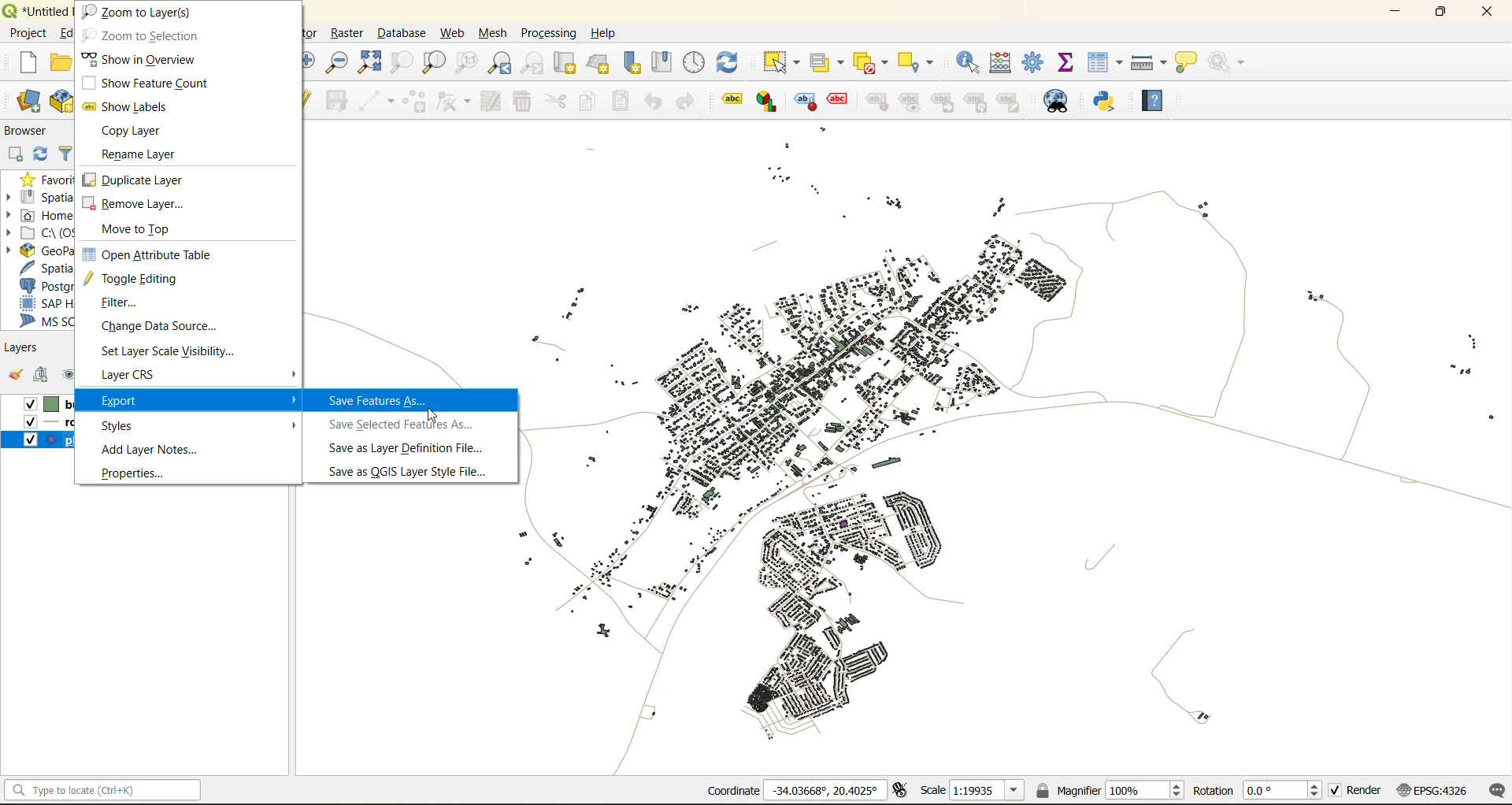 This screenshot has width=1512, height=805. I want to click on save selected features as, so click(407, 425).